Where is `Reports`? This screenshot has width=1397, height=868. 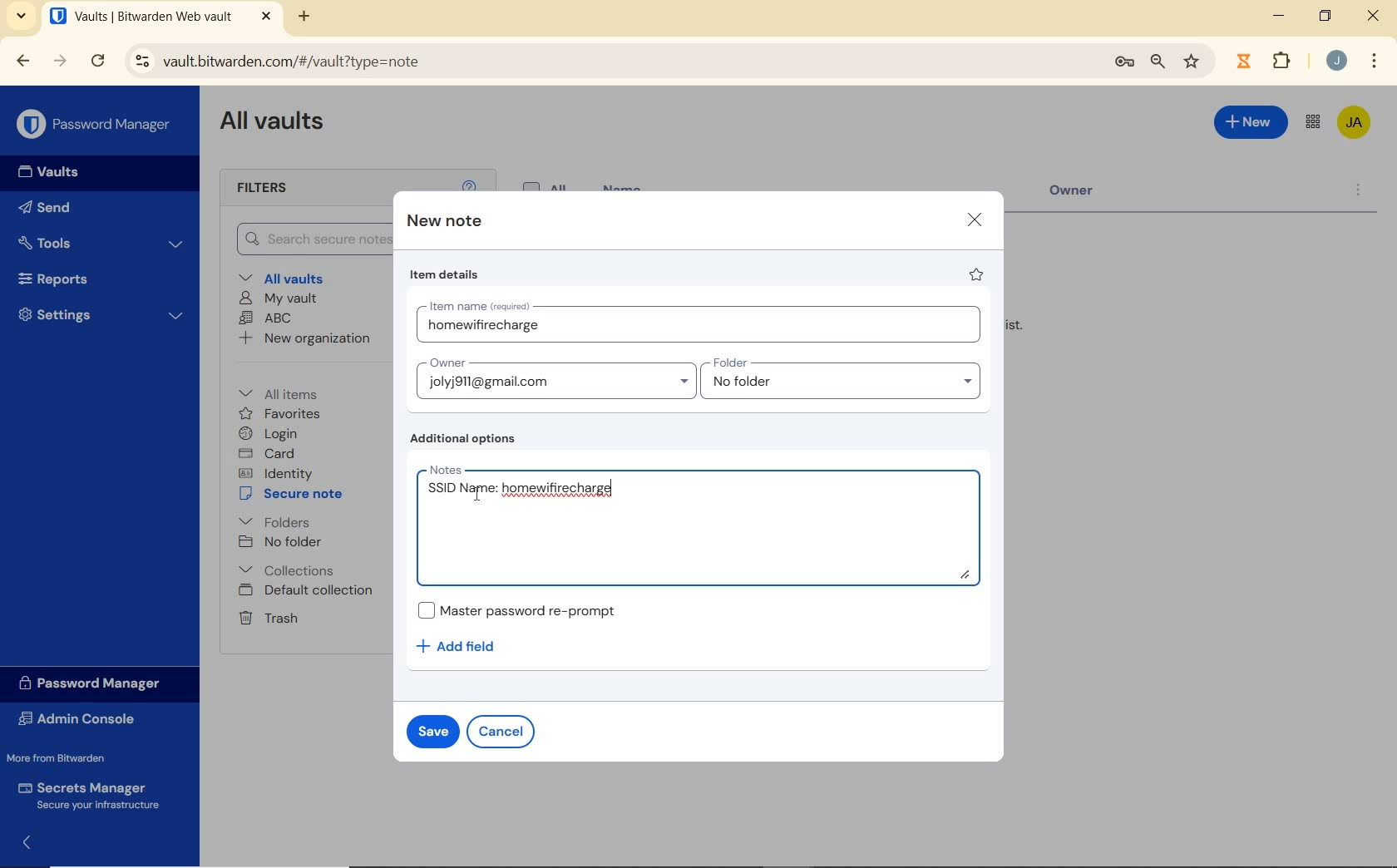 Reports is located at coordinates (95, 277).